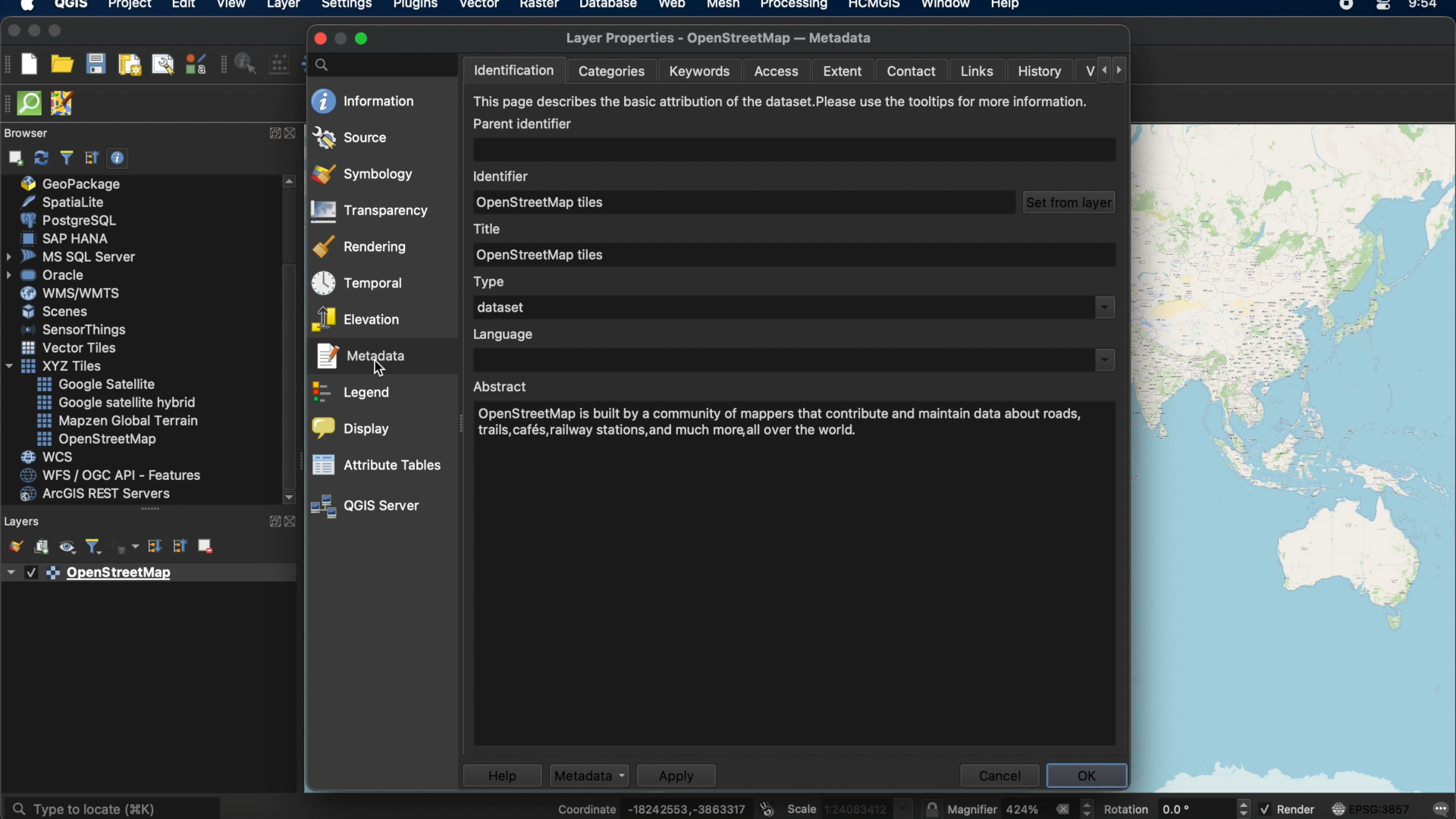  What do you see at coordinates (25, 6) in the screenshot?
I see `apple logo` at bounding box center [25, 6].